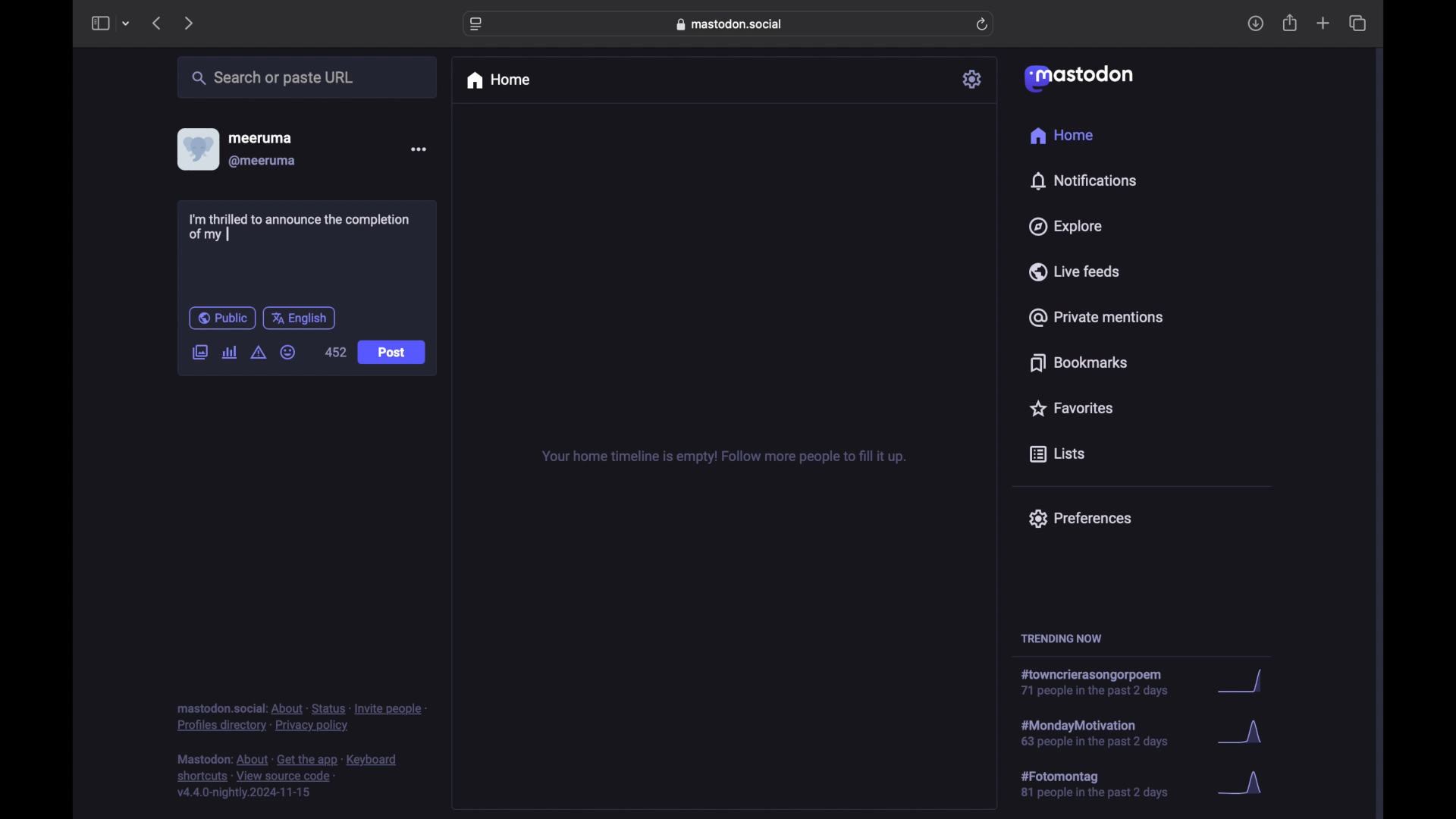 Image resolution: width=1456 pixels, height=819 pixels. I want to click on show tab overview, so click(1359, 23).